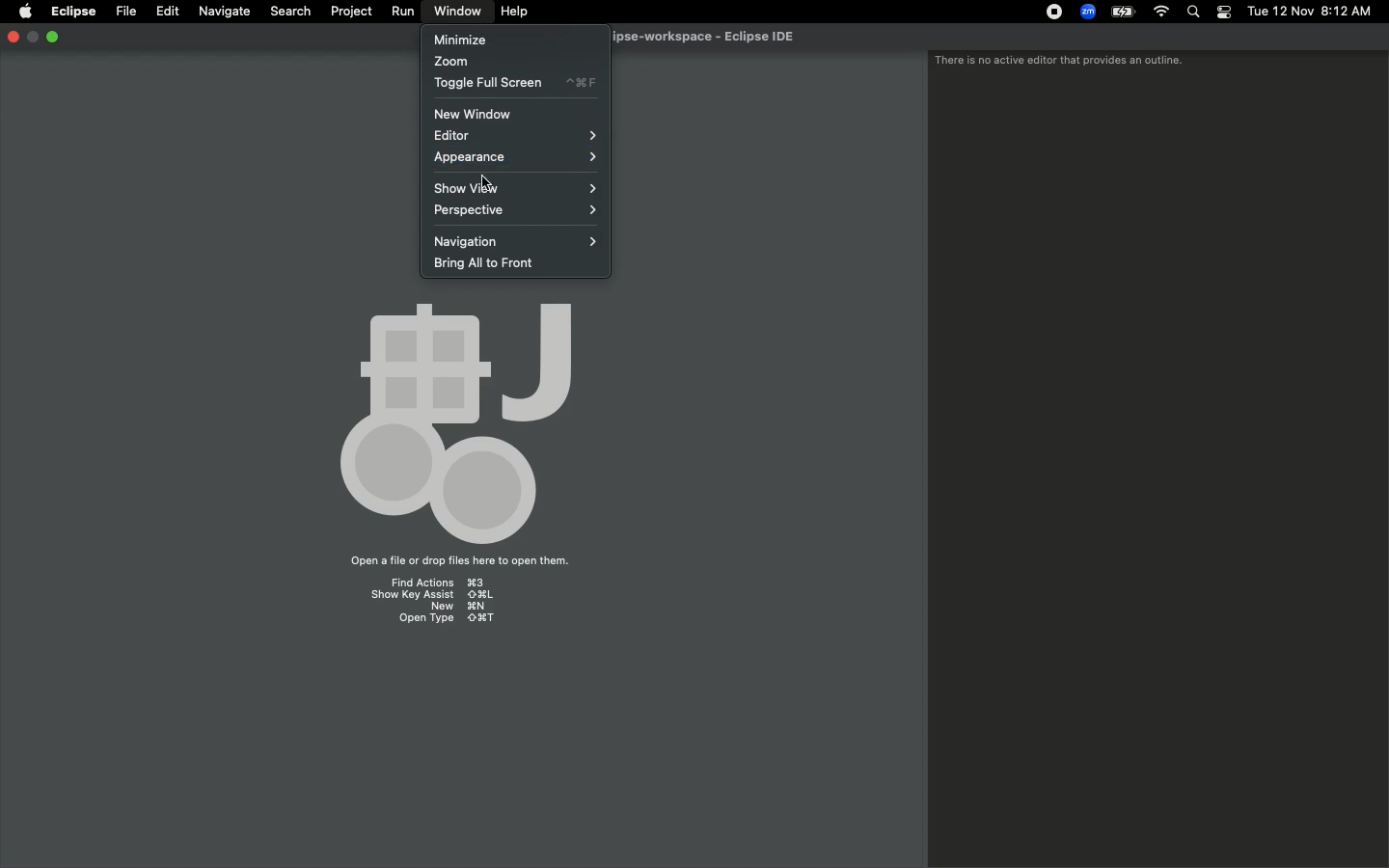 The height and width of the screenshot is (868, 1389). I want to click on Project, so click(347, 12).